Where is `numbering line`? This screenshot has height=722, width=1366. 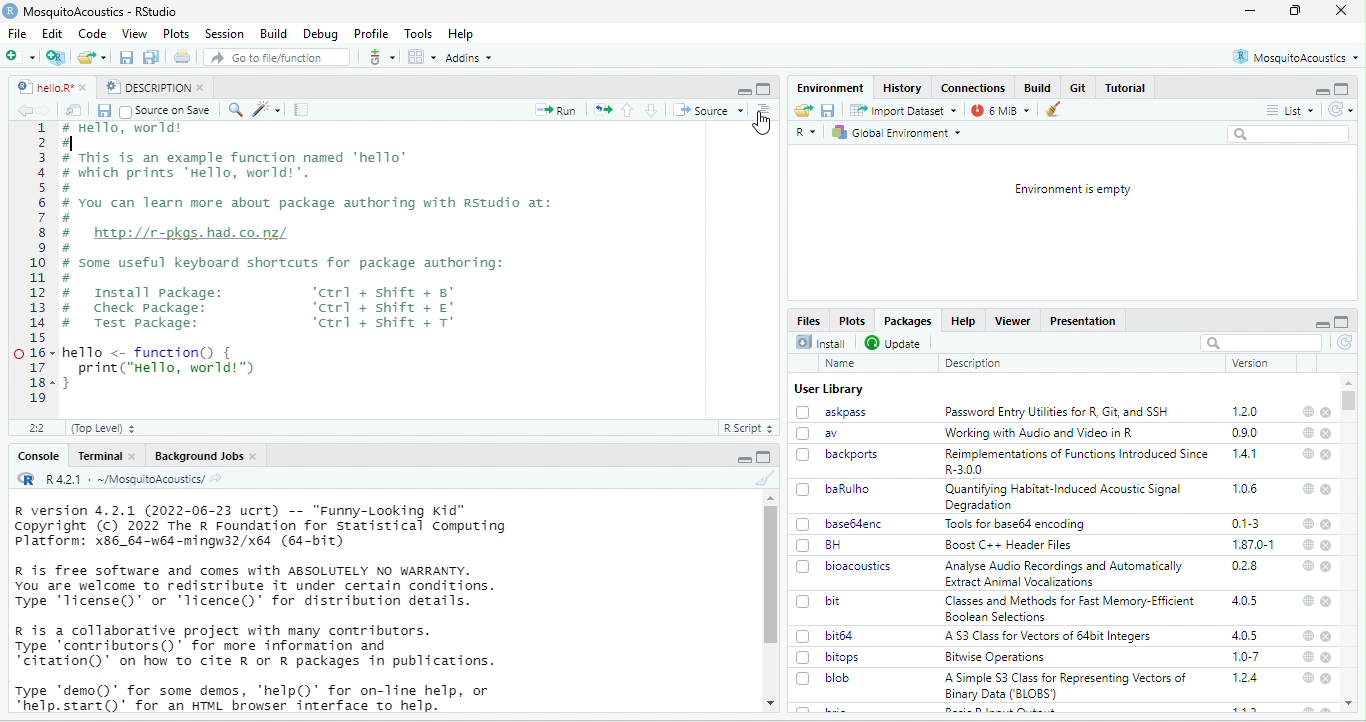
numbering line is located at coordinates (38, 265).